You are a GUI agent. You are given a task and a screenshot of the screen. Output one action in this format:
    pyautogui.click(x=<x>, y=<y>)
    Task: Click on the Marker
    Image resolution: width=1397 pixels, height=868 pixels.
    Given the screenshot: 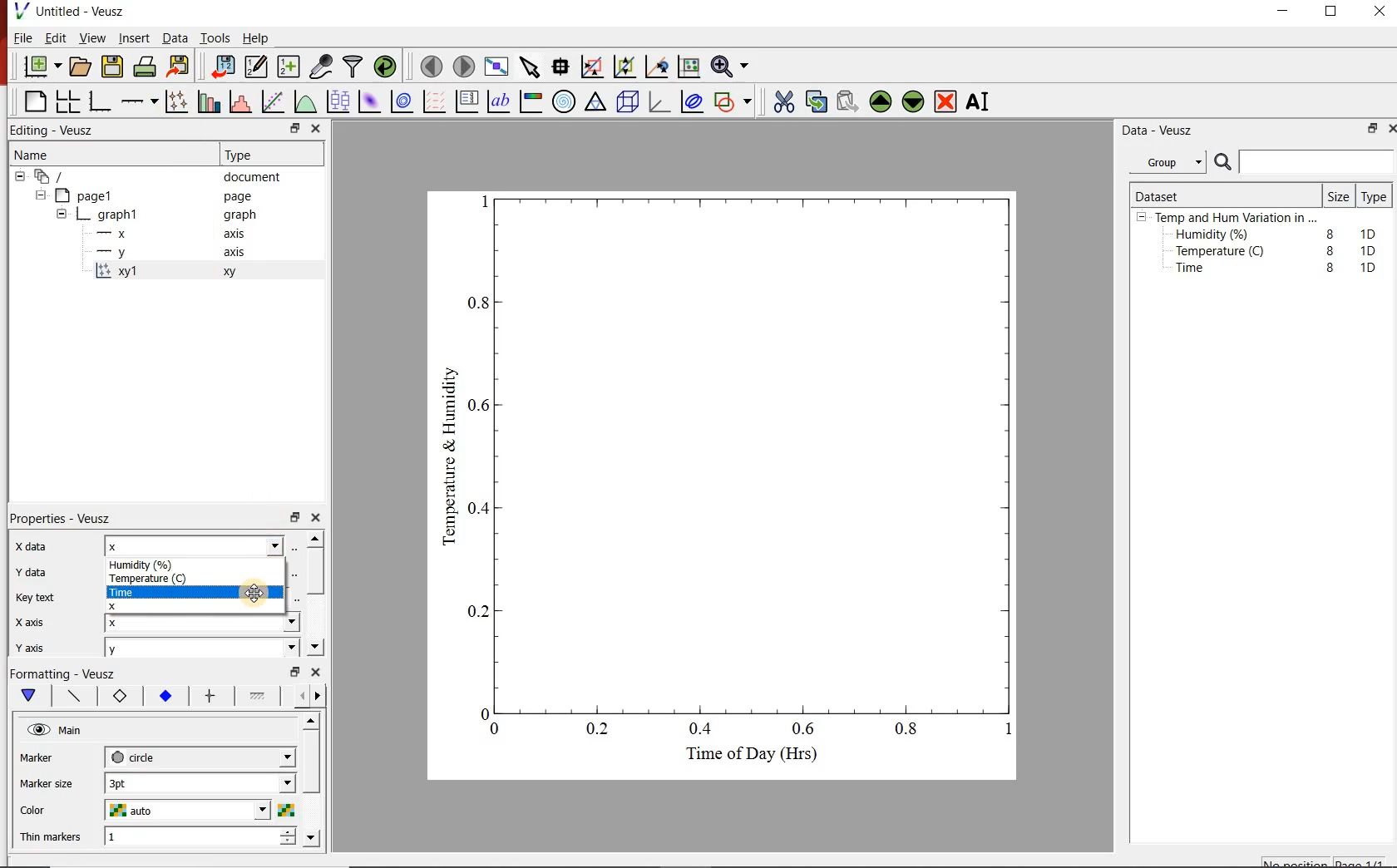 What is the action you would take?
    pyautogui.click(x=49, y=759)
    